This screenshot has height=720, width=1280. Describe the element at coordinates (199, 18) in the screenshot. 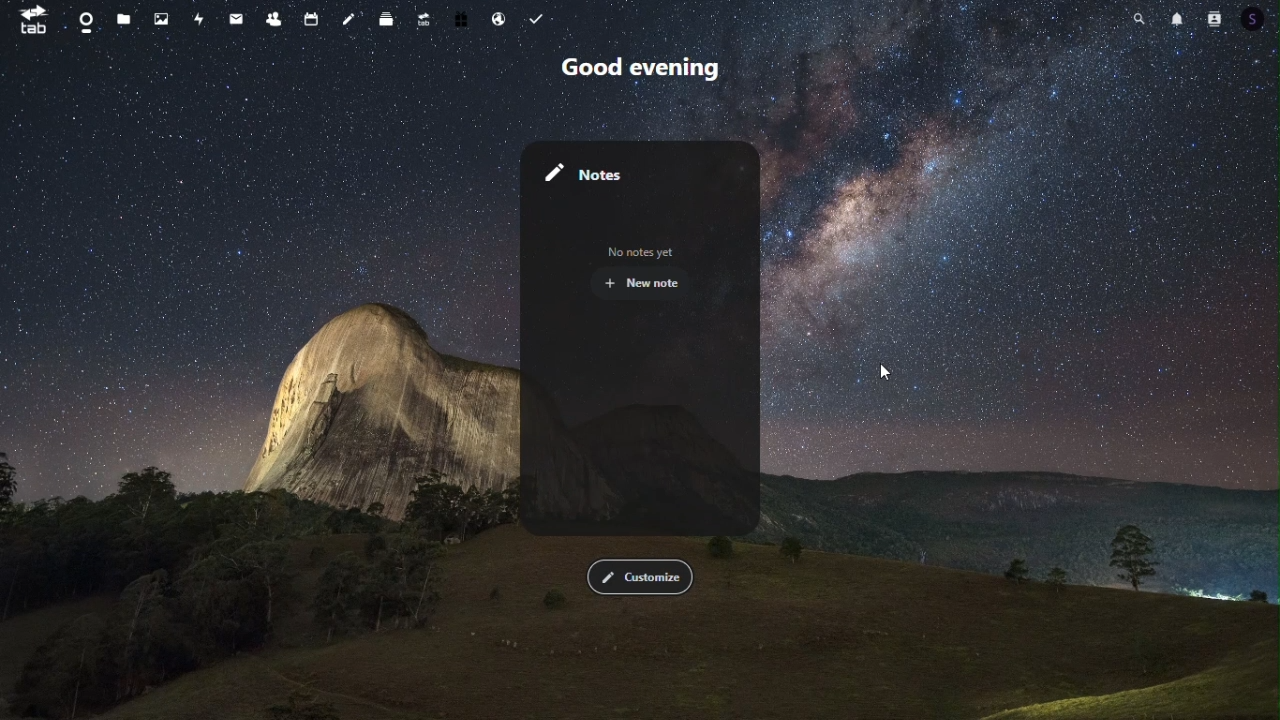

I see `Activity` at that location.